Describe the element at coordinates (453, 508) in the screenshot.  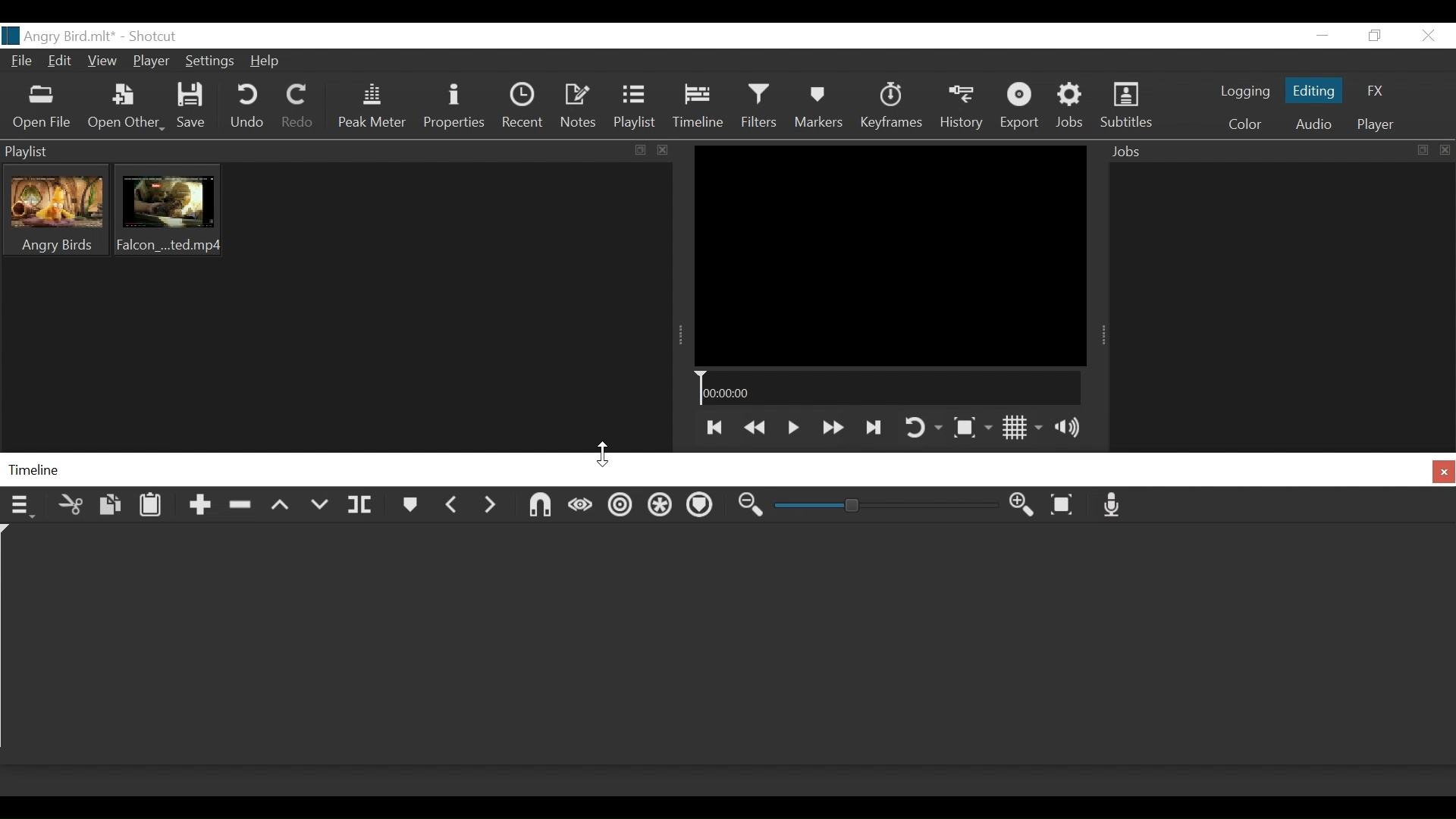
I see `Previous marker` at that location.